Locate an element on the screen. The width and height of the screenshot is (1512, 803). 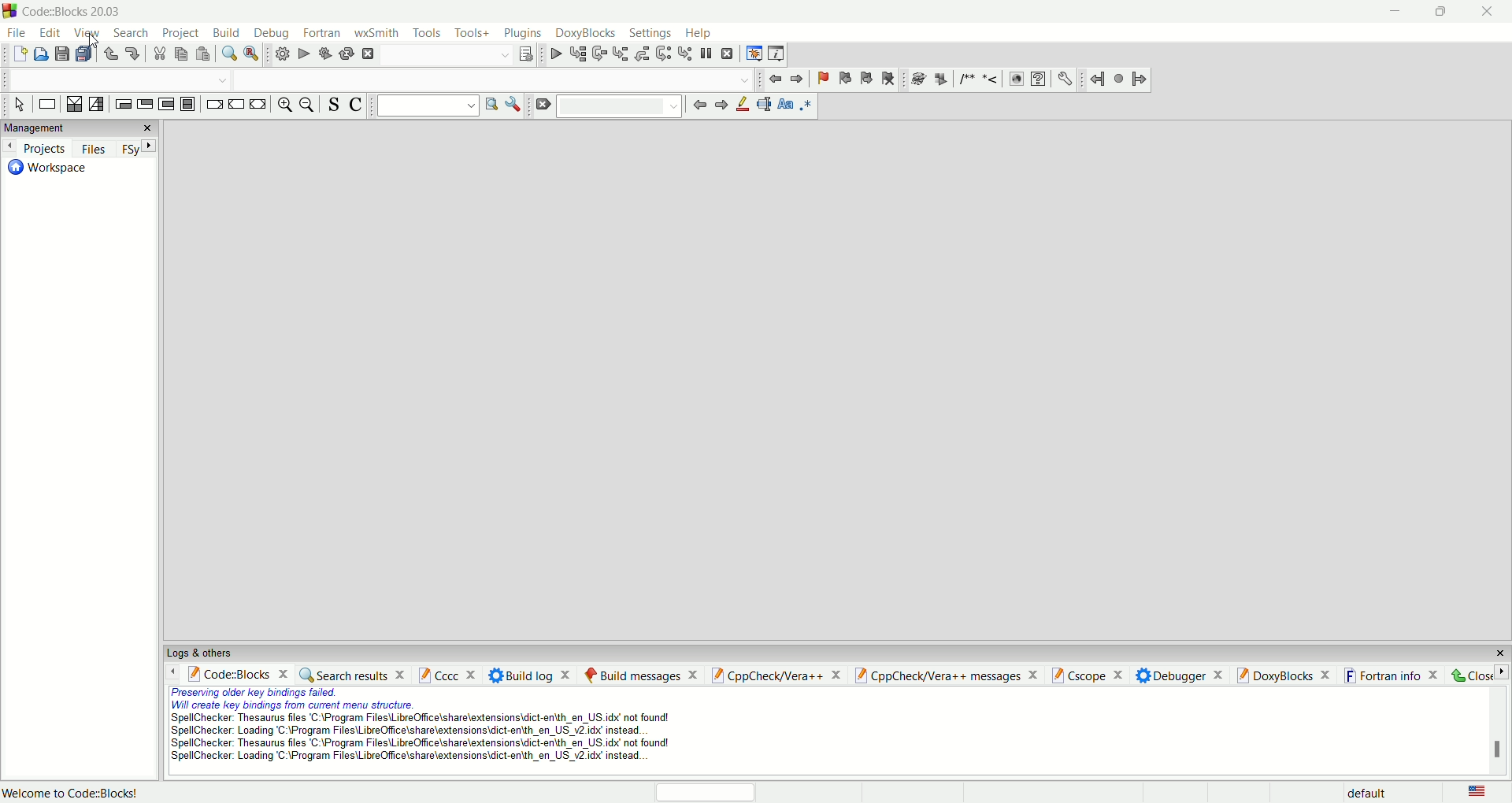
maximize is located at coordinates (1436, 16).